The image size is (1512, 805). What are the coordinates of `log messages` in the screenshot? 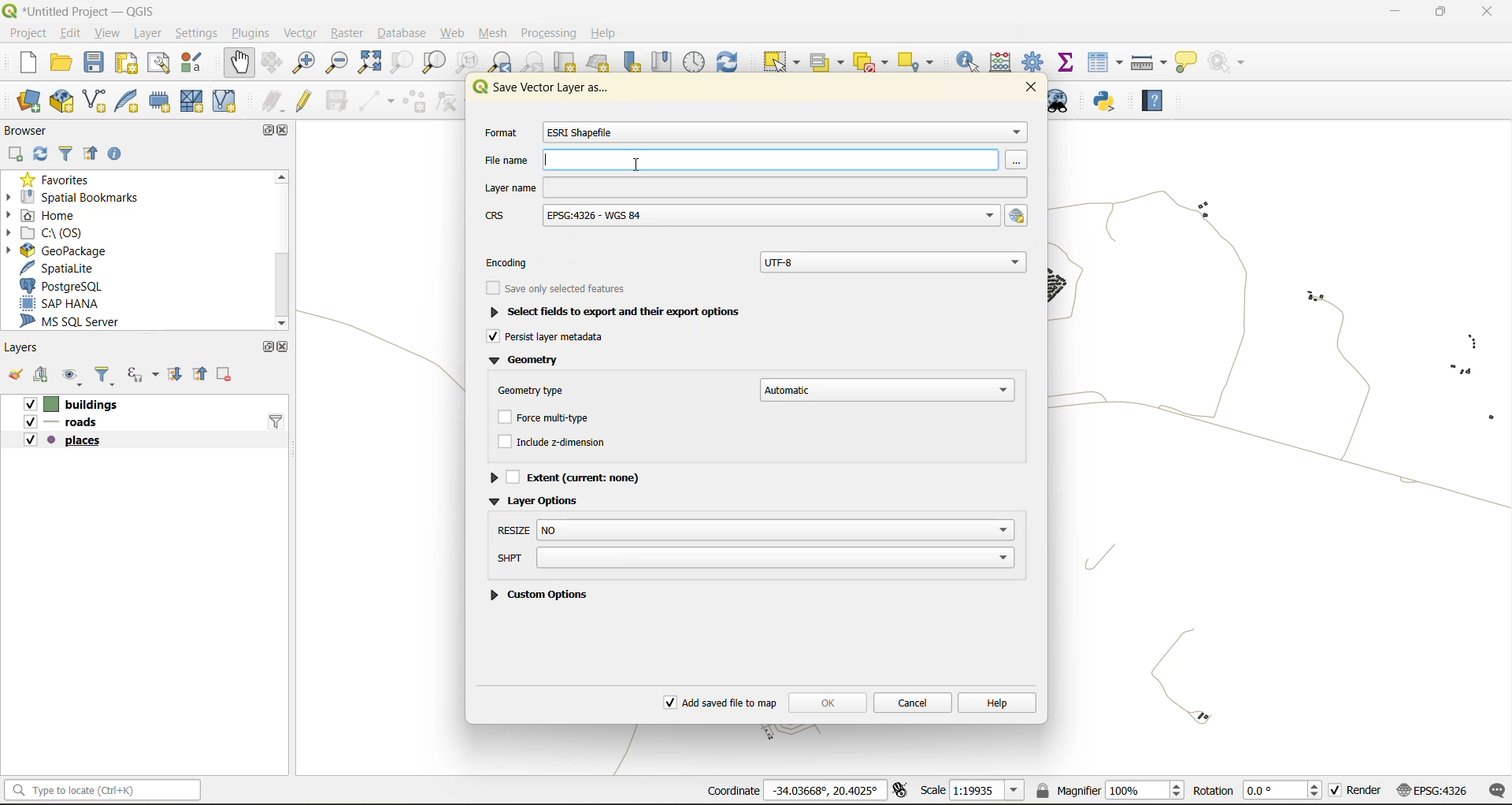 It's located at (1495, 791).